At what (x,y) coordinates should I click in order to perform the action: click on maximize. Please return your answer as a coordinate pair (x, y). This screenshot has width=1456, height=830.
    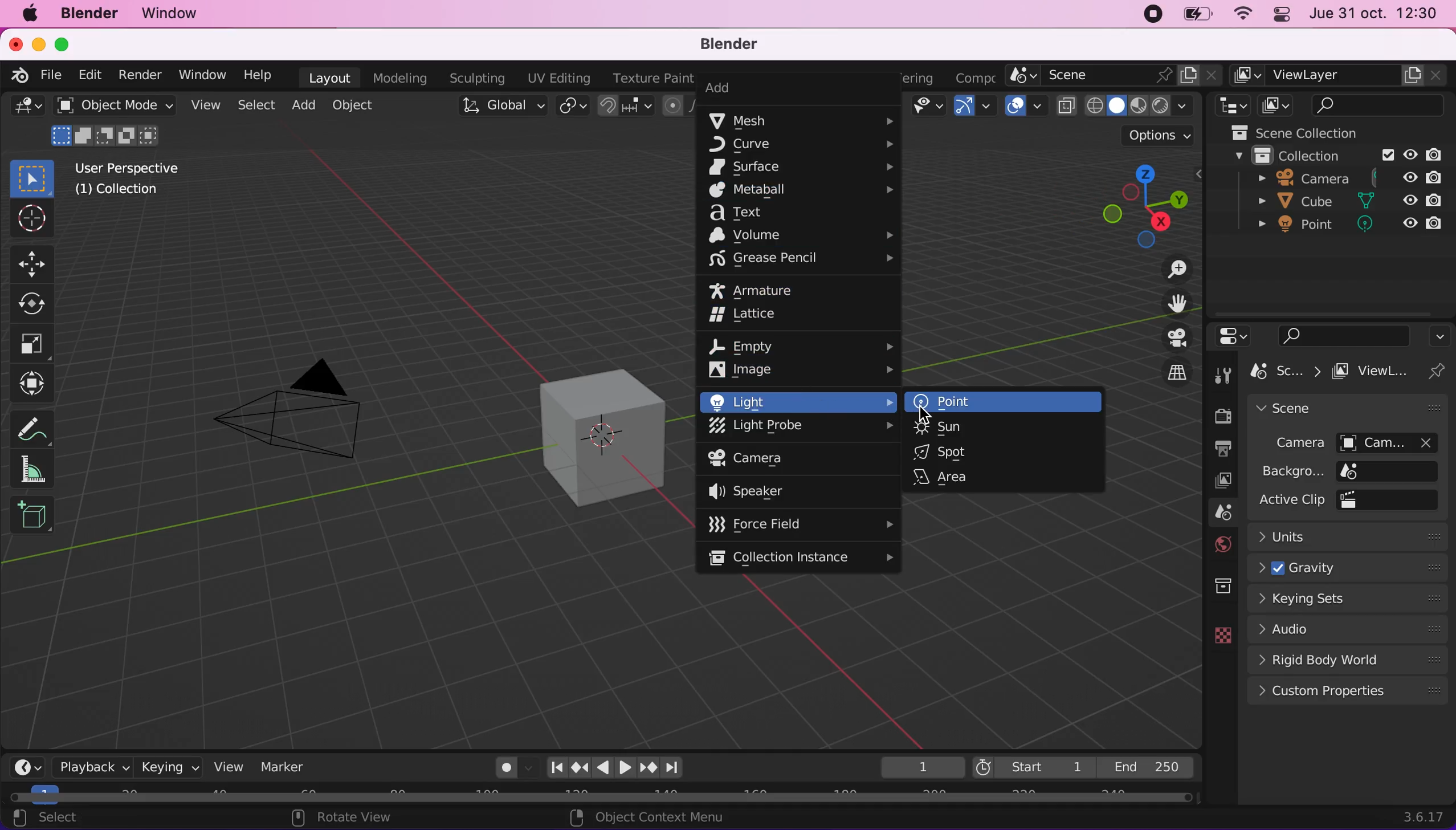
    Looking at the image, I should click on (68, 43).